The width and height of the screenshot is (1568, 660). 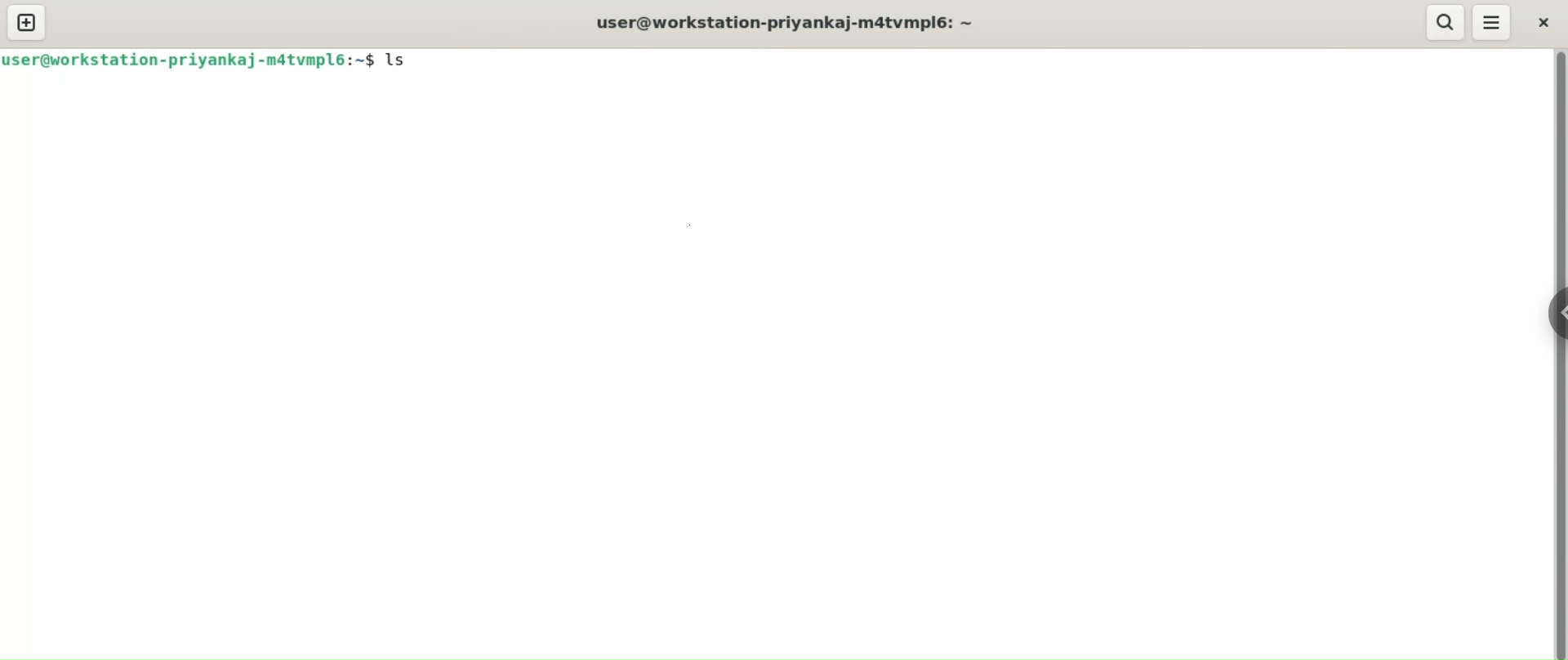 What do you see at coordinates (187, 61) in the screenshot?
I see `iIser@workstation-priyankaj-matvmpl6:~$ Jj` at bounding box center [187, 61].